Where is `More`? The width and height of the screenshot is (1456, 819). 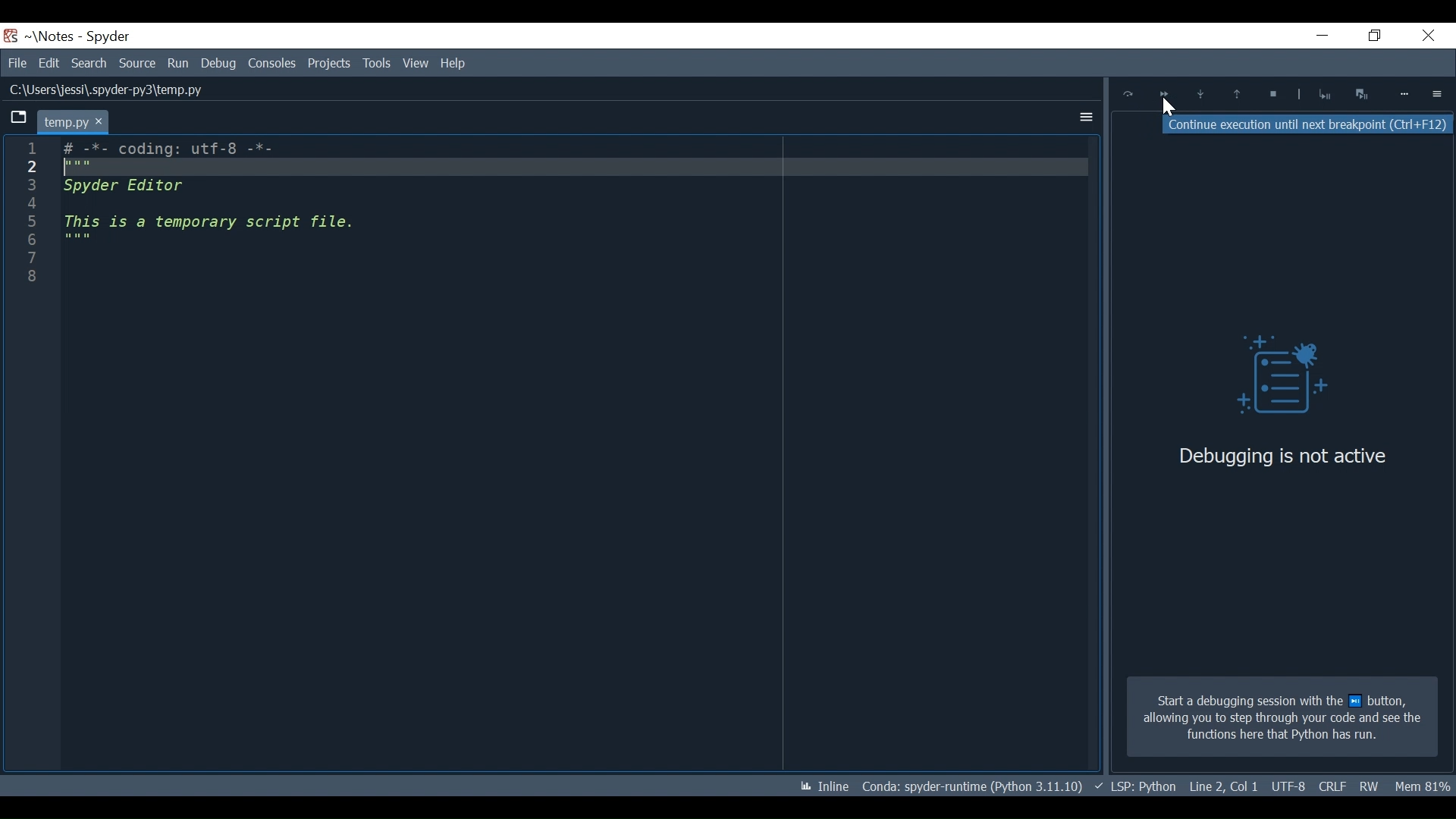 More is located at coordinates (1405, 94).